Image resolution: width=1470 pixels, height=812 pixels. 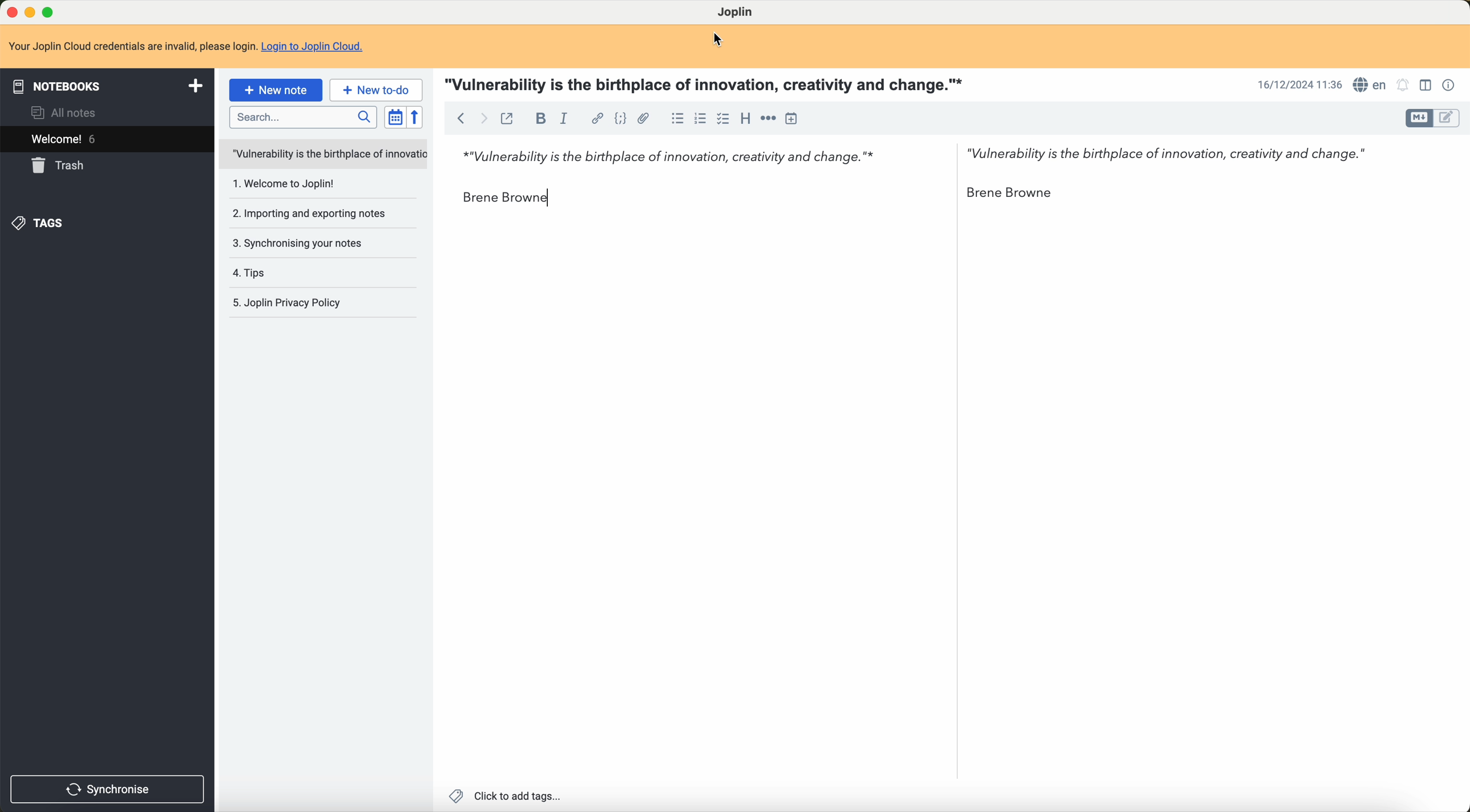 I want to click on checkbox, so click(x=723, y=119).